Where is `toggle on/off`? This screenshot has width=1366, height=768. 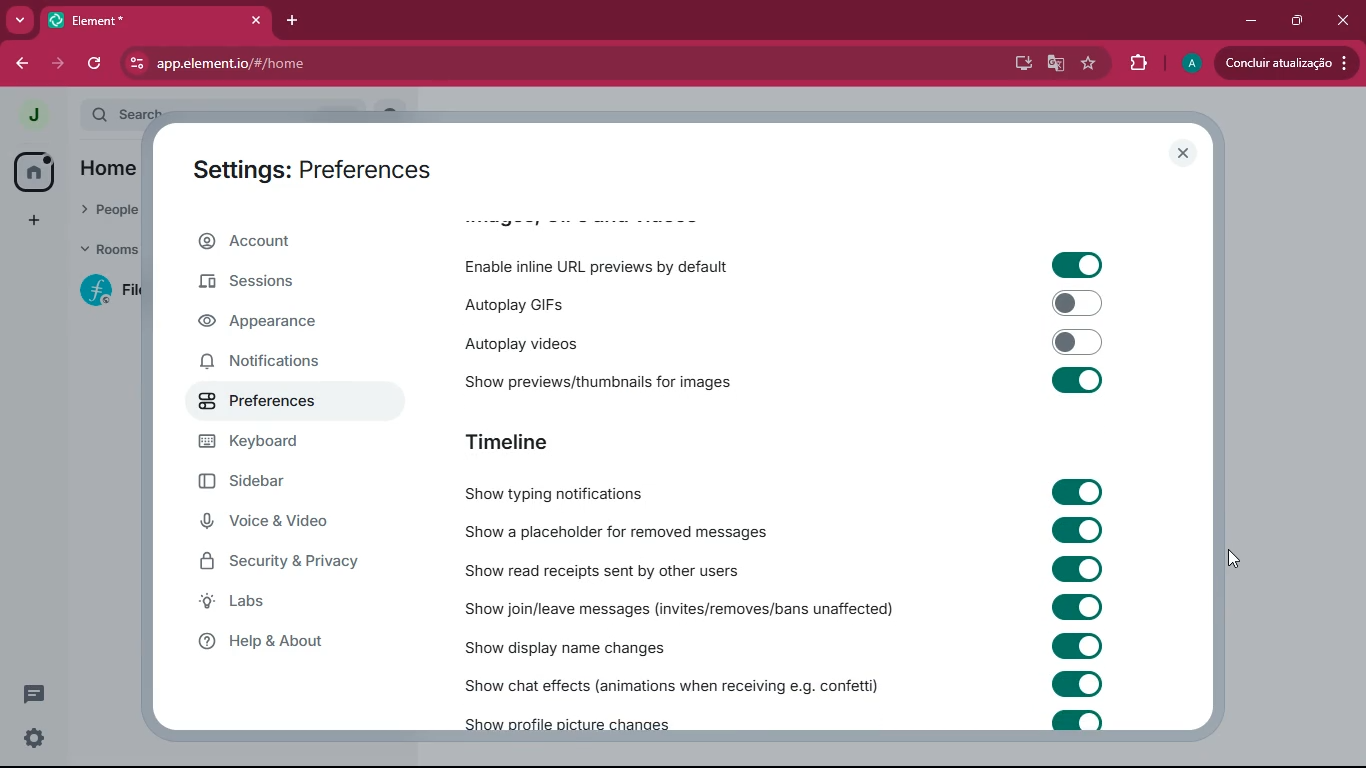 toggle on/off is located at coordinates (1078, 647).